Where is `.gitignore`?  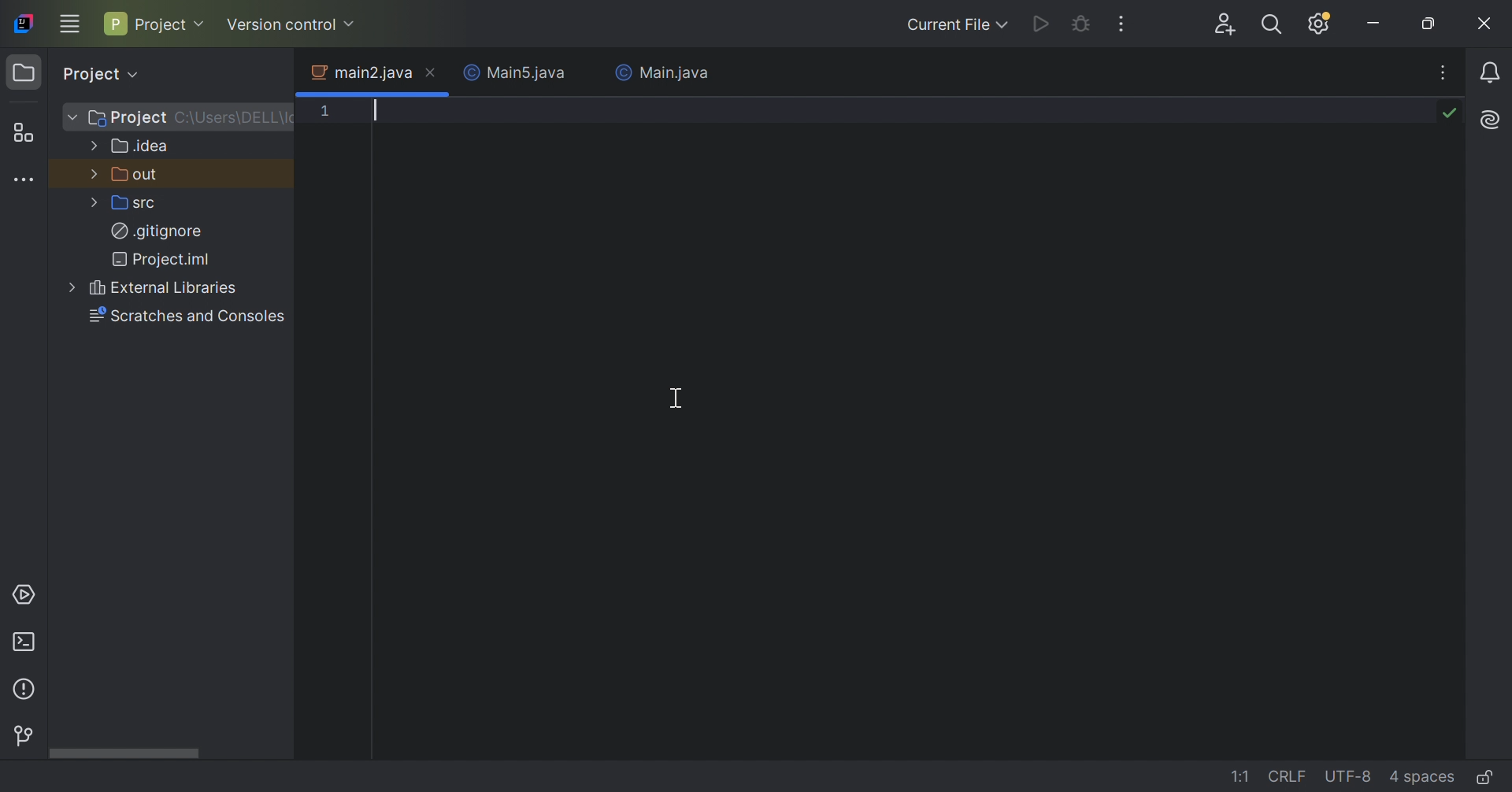 .gitignore is located at coordinates (157, 229).